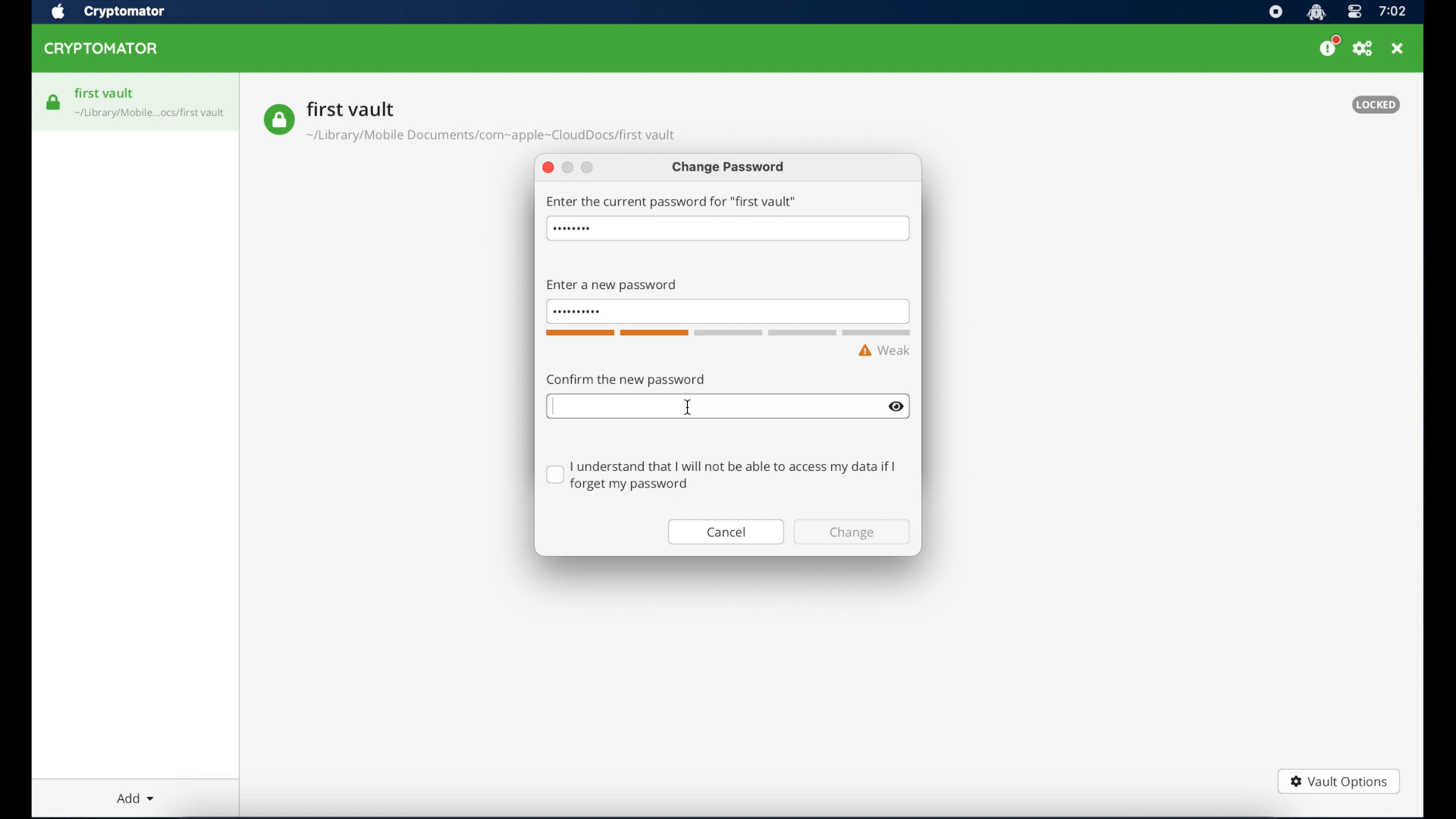 This screenshot has height=819, width=1456. Describe the element at coordinates (572, 229) in the screenshot. I see `hidden password` at that location.